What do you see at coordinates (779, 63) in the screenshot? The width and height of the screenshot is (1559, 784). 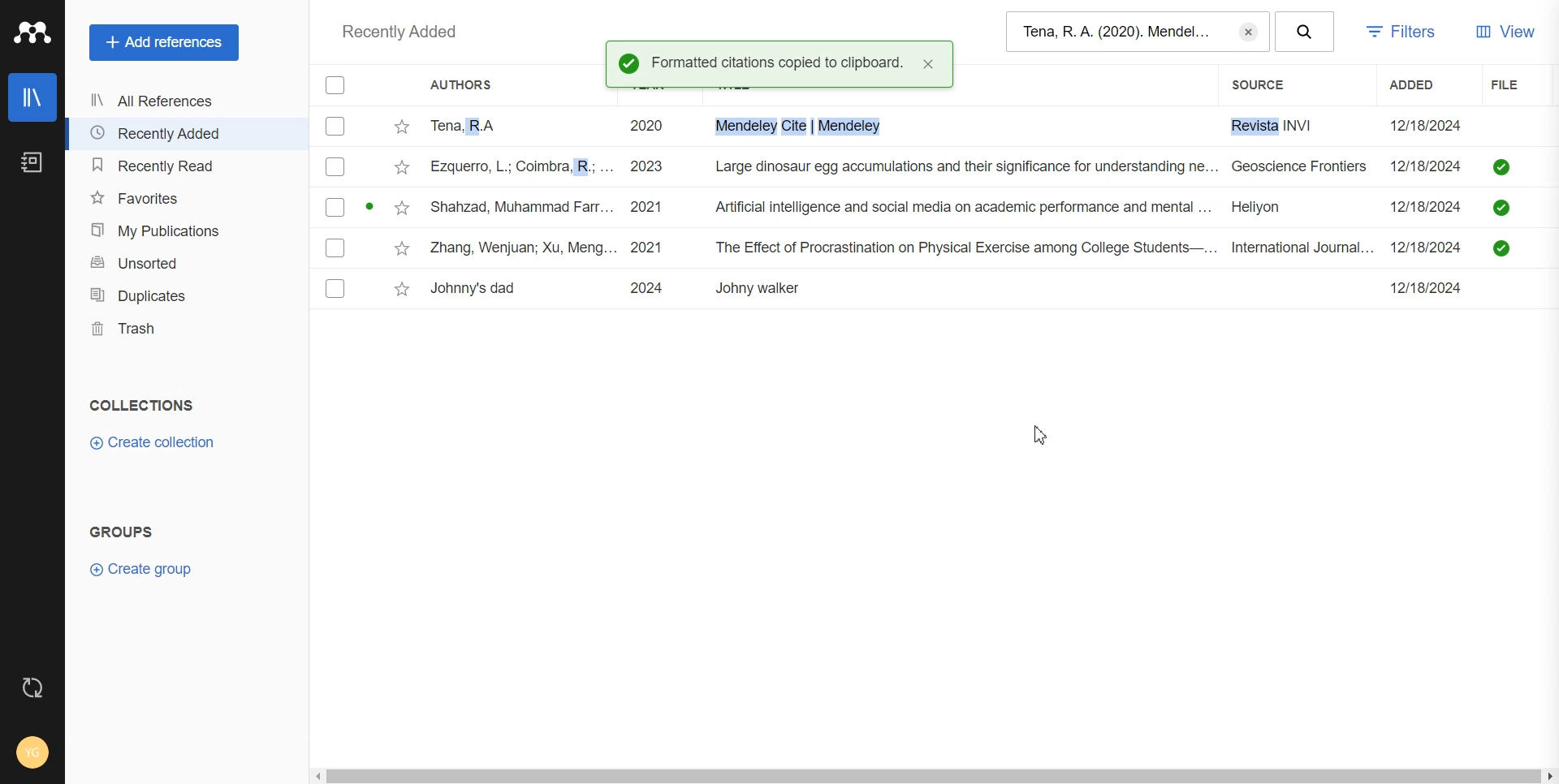 I see `Formatted citations copied to clipboard.` at bounding box center [779, 63].